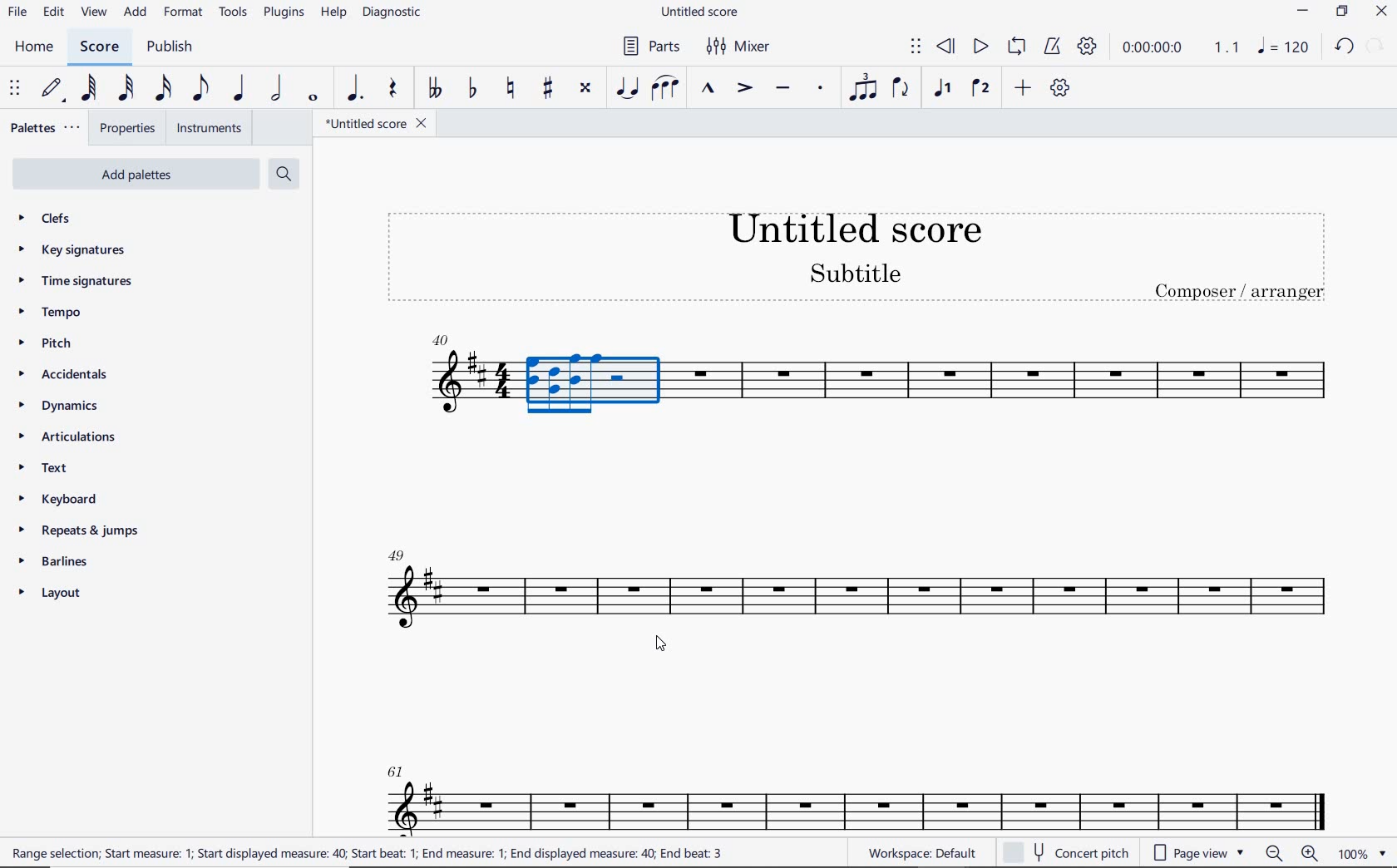  What do you see at coordinates (53, 14) in the screenshot?
I see `EDIT` at bounding box center [53, 14].